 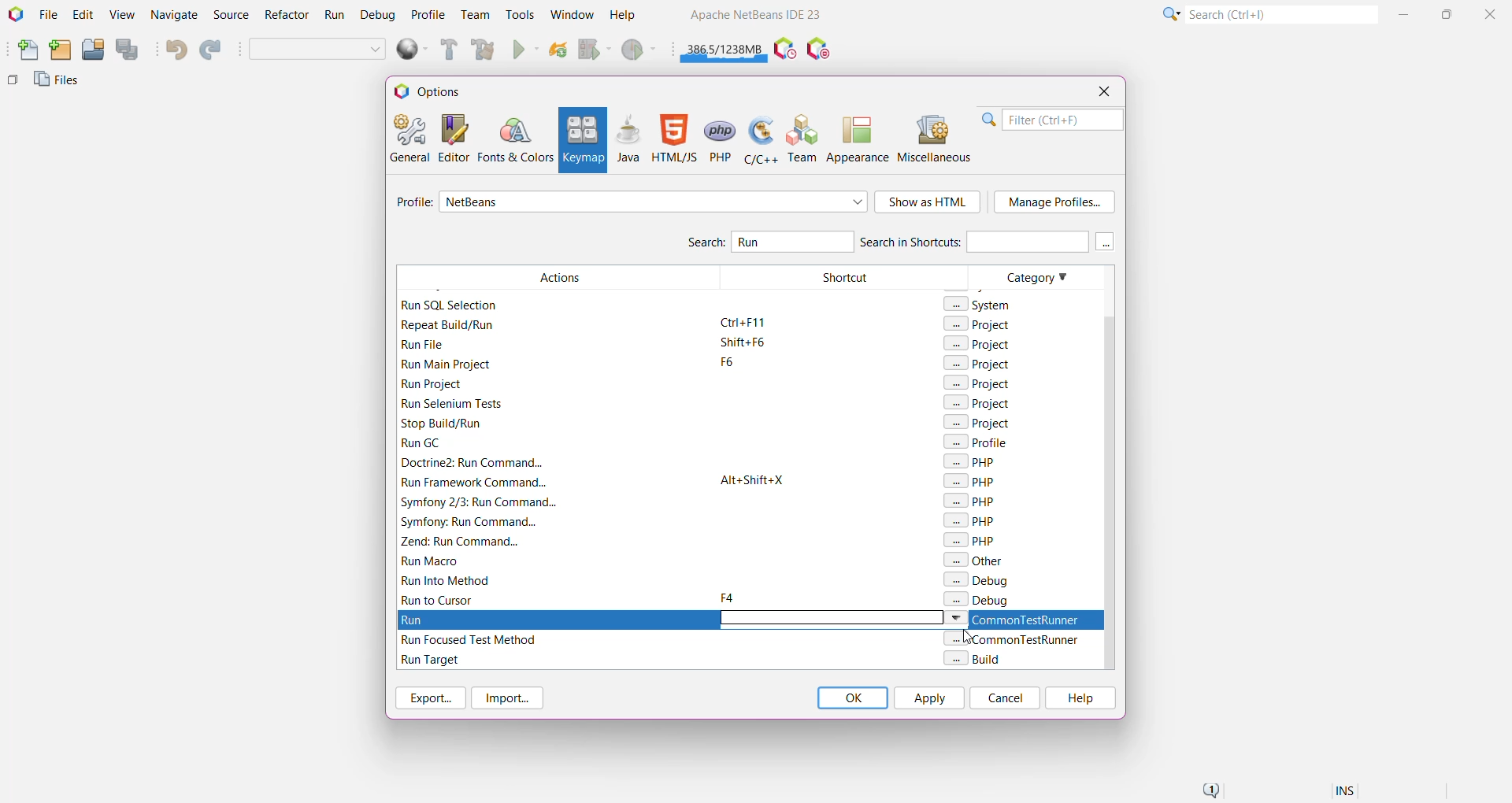 I want to click on C/C++, so click(x=759, y=139).